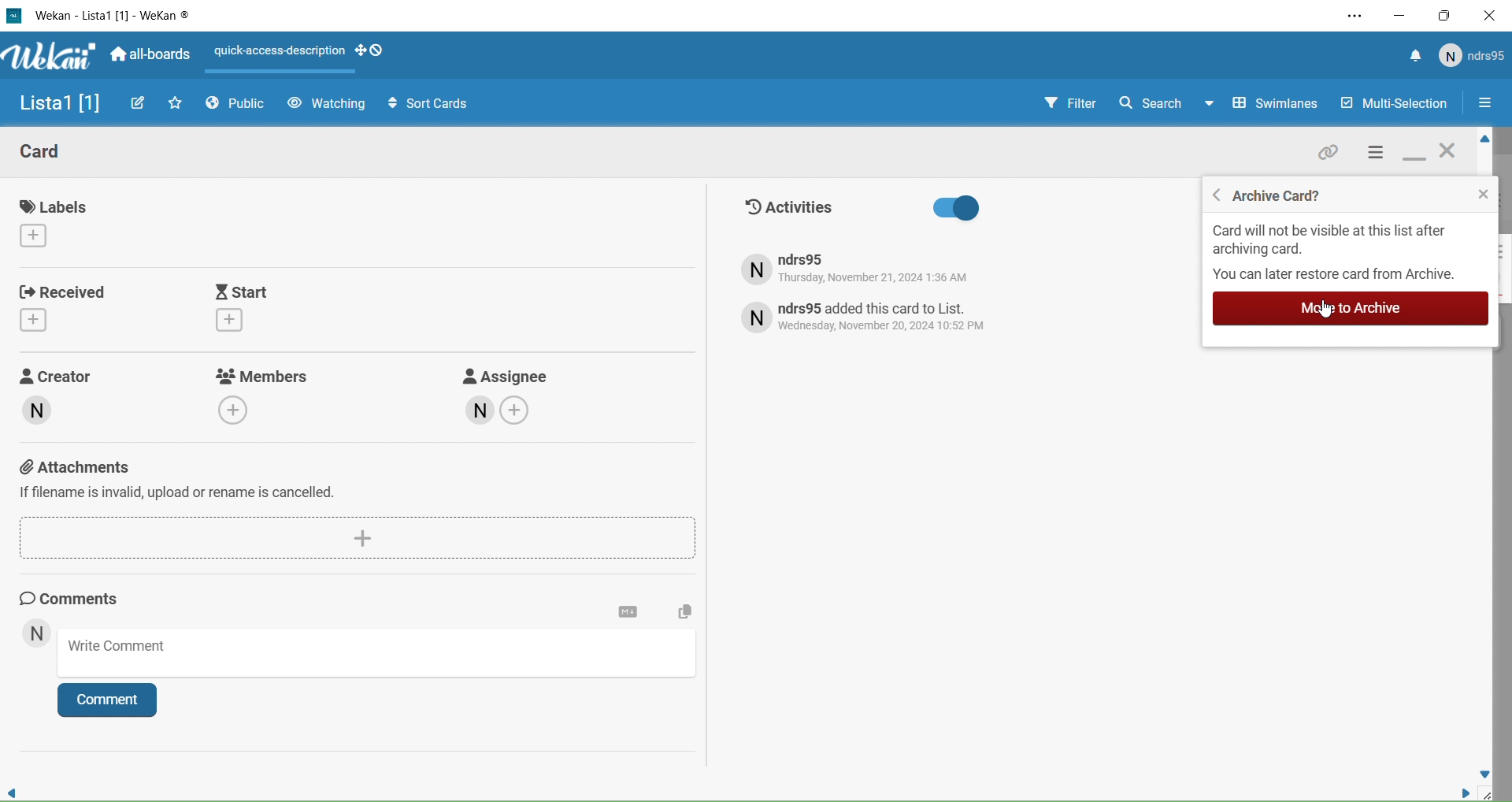 The image size is (1512, 802). I want to click on Watchin, so click(328, 105).